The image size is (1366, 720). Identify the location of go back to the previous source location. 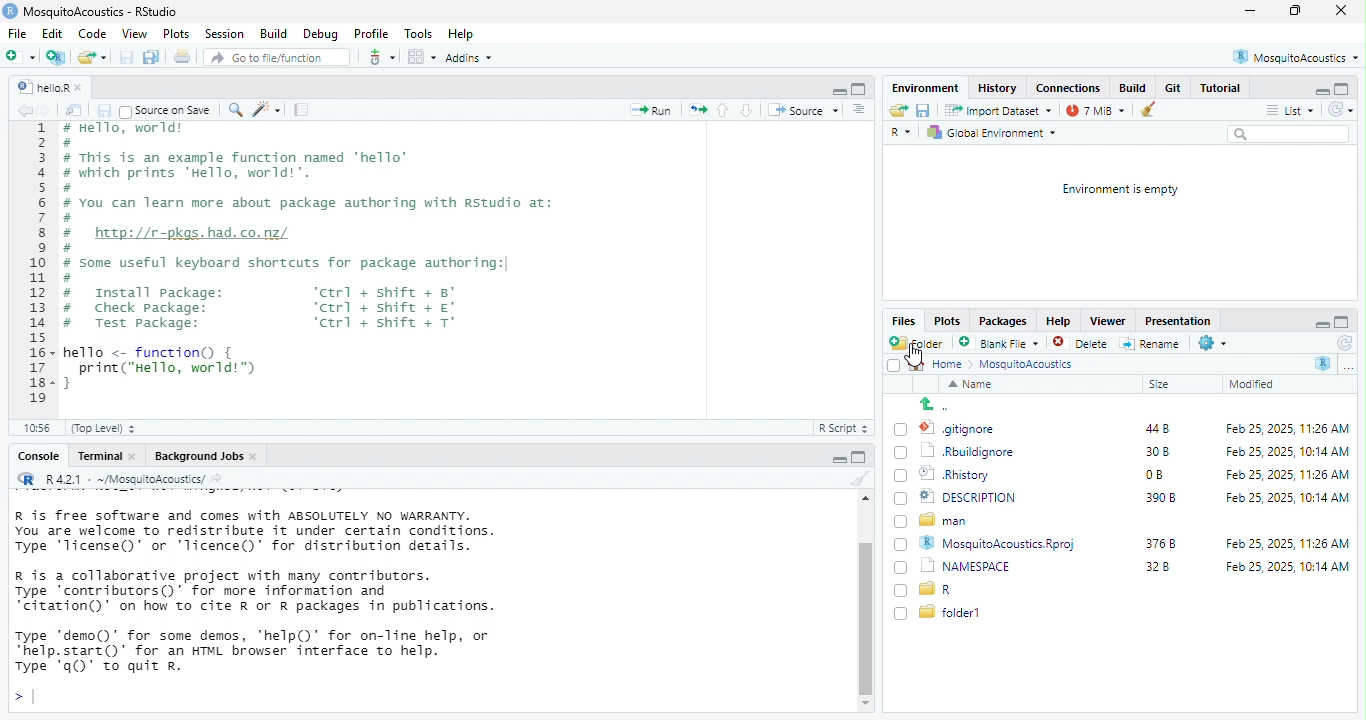
(25, 112).